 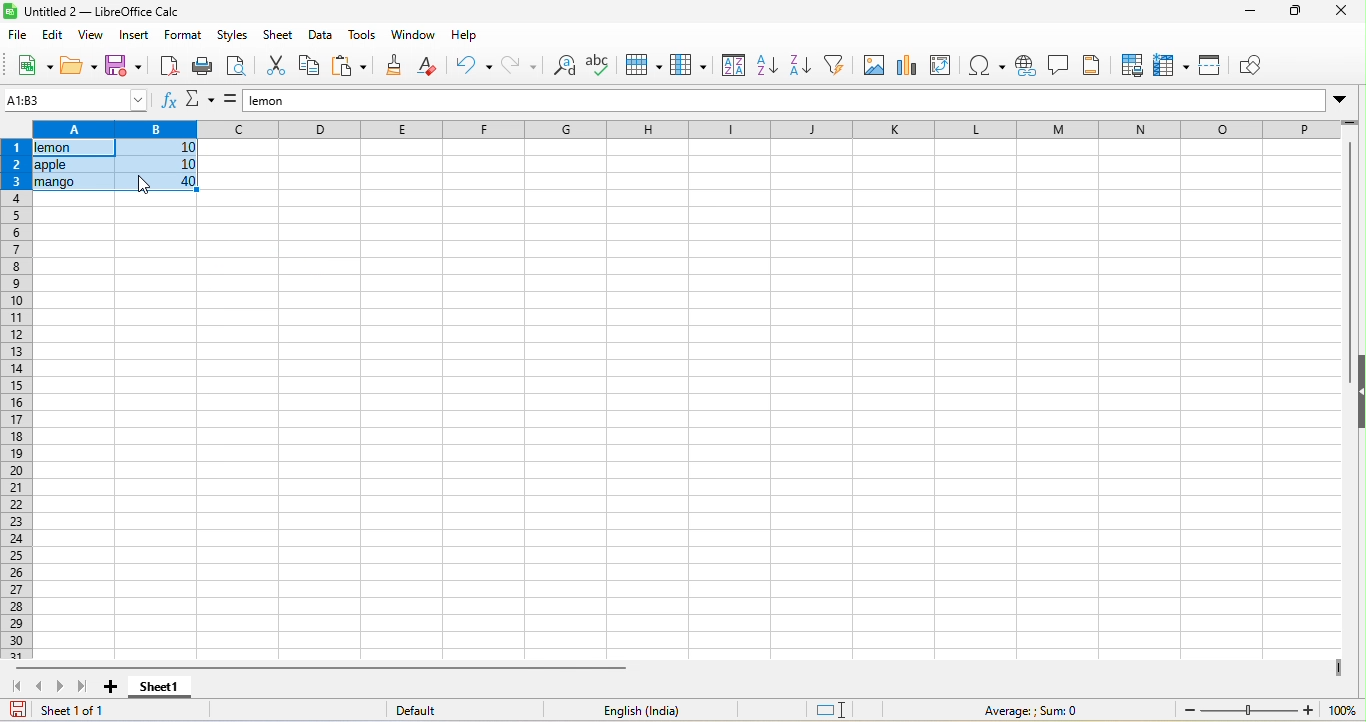 I want to click on pivot table, so click(x=941, y=67).